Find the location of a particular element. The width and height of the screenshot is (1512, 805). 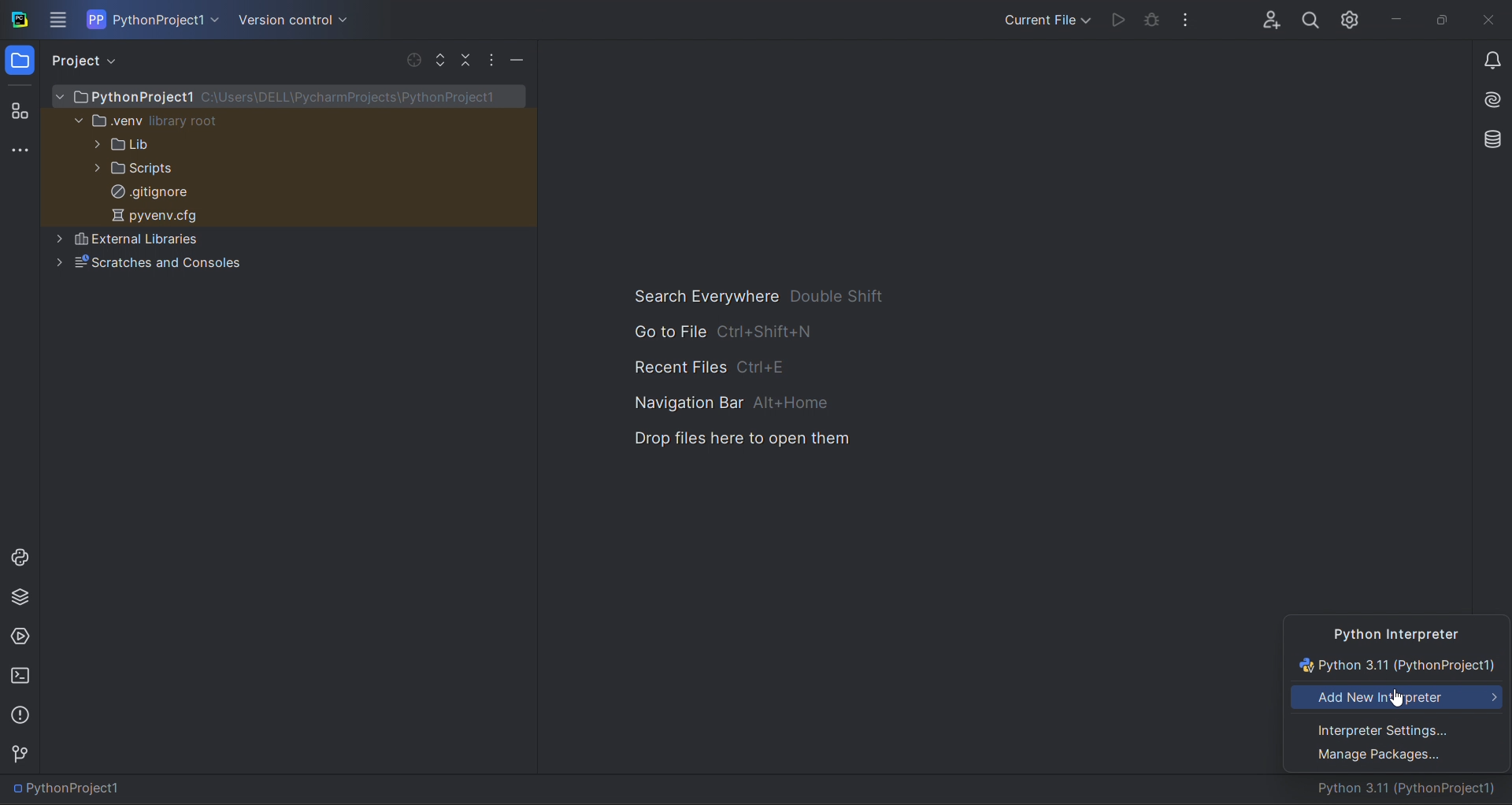

current is located at coordinates (1399, 666).